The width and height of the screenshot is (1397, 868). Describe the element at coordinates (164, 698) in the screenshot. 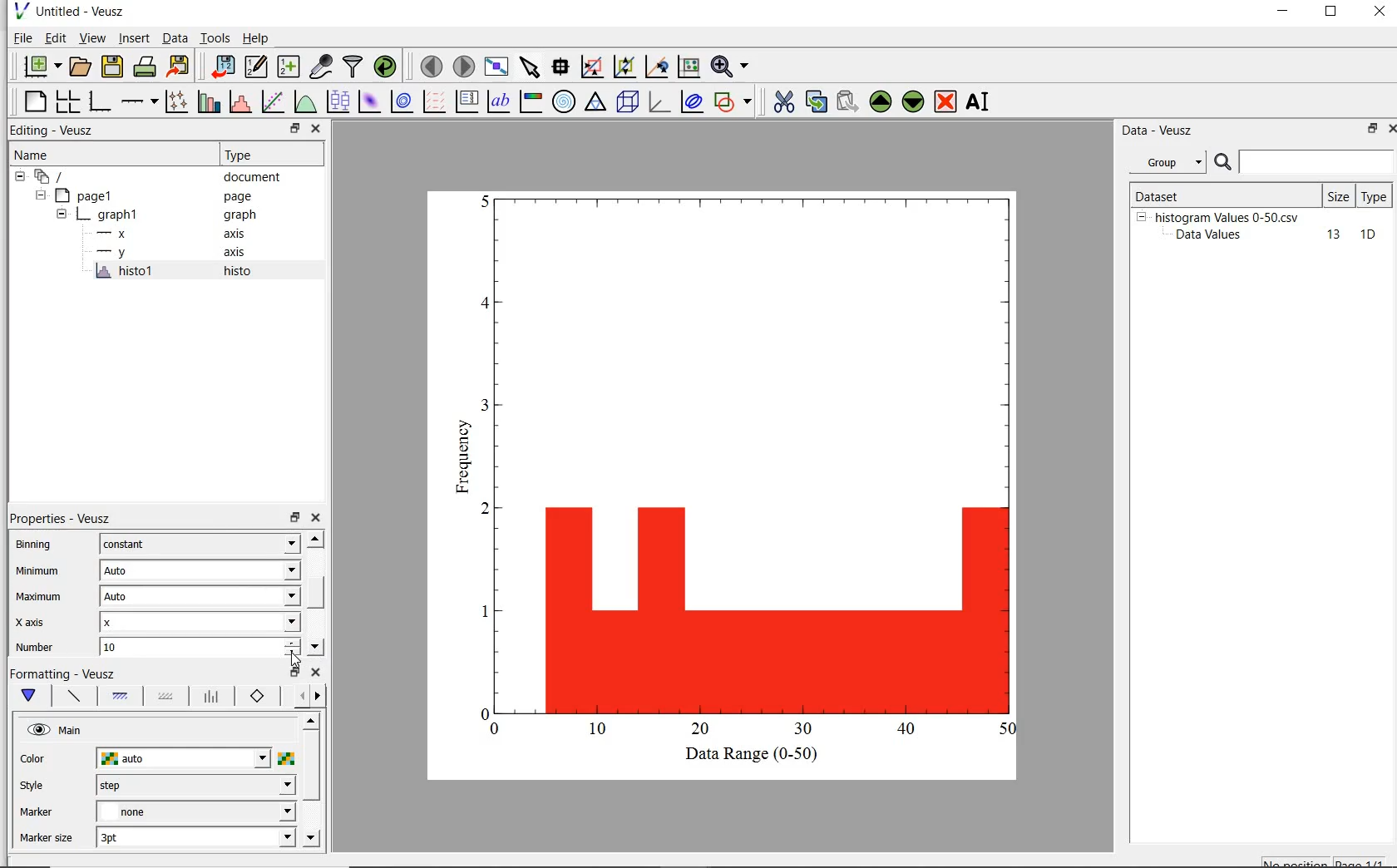

I see `fill over` at that location.